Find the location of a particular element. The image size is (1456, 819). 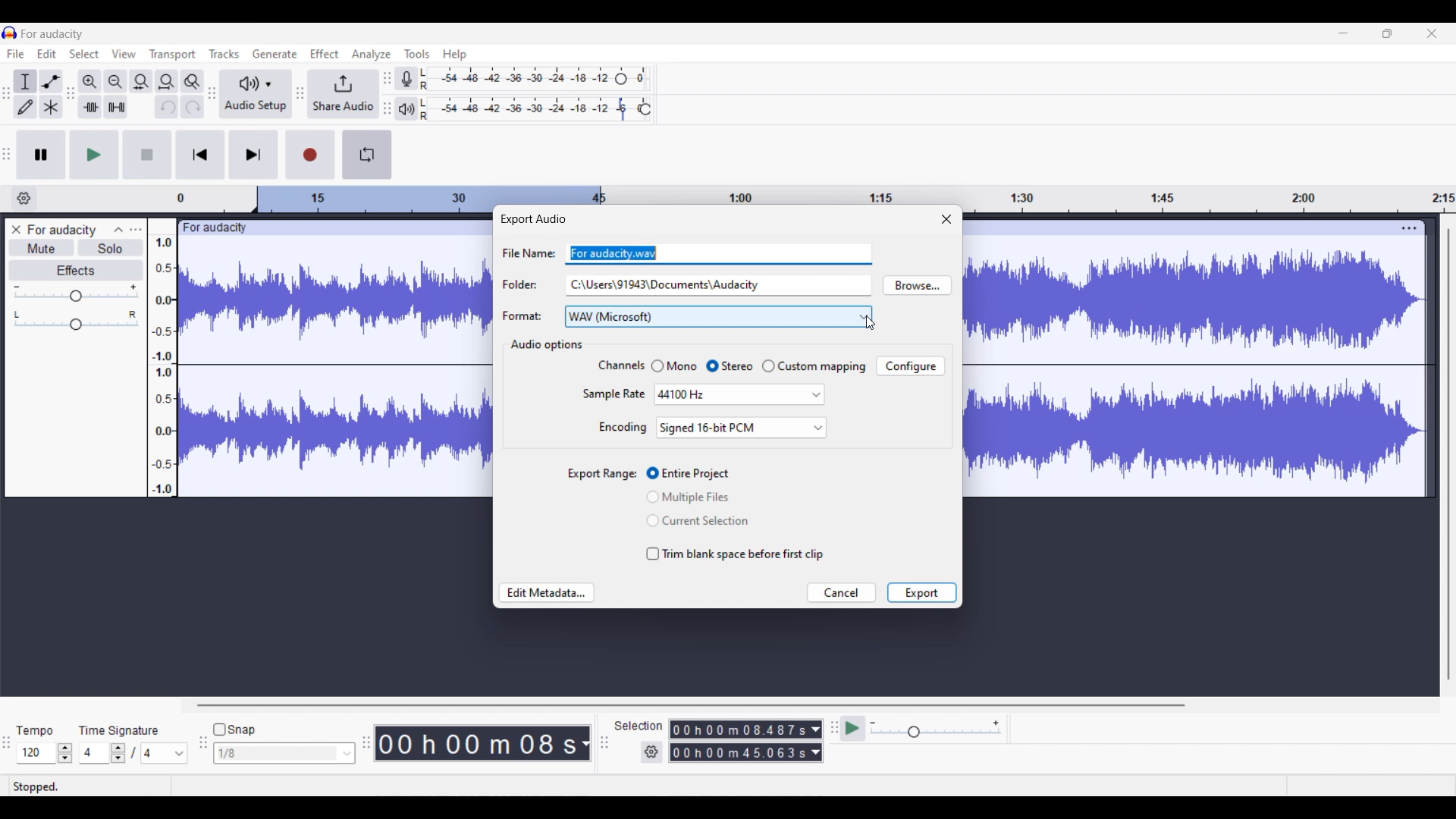

Play/Play once is located at coordinates (95, 155).